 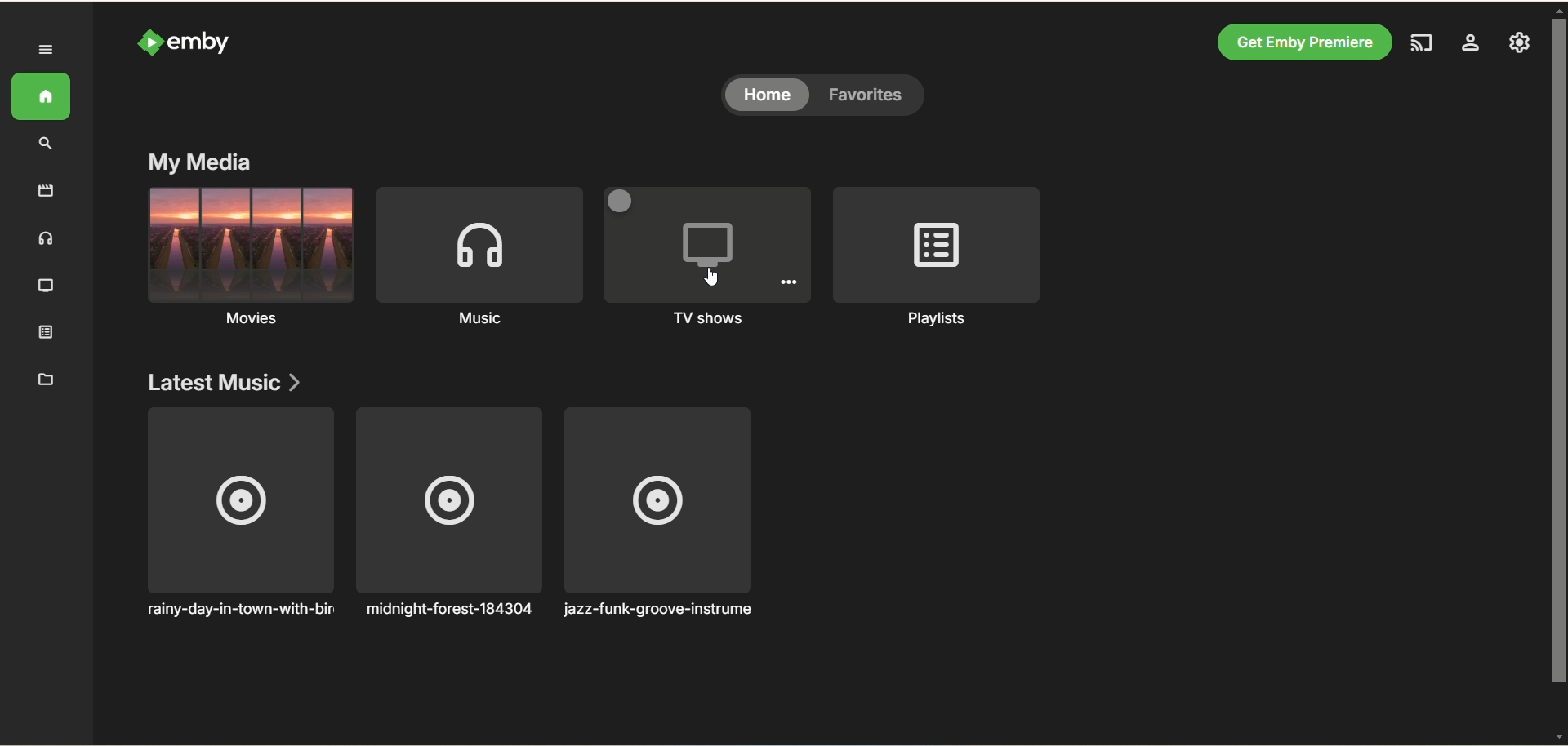 I want to click on movies, so click(x=45, y=190).